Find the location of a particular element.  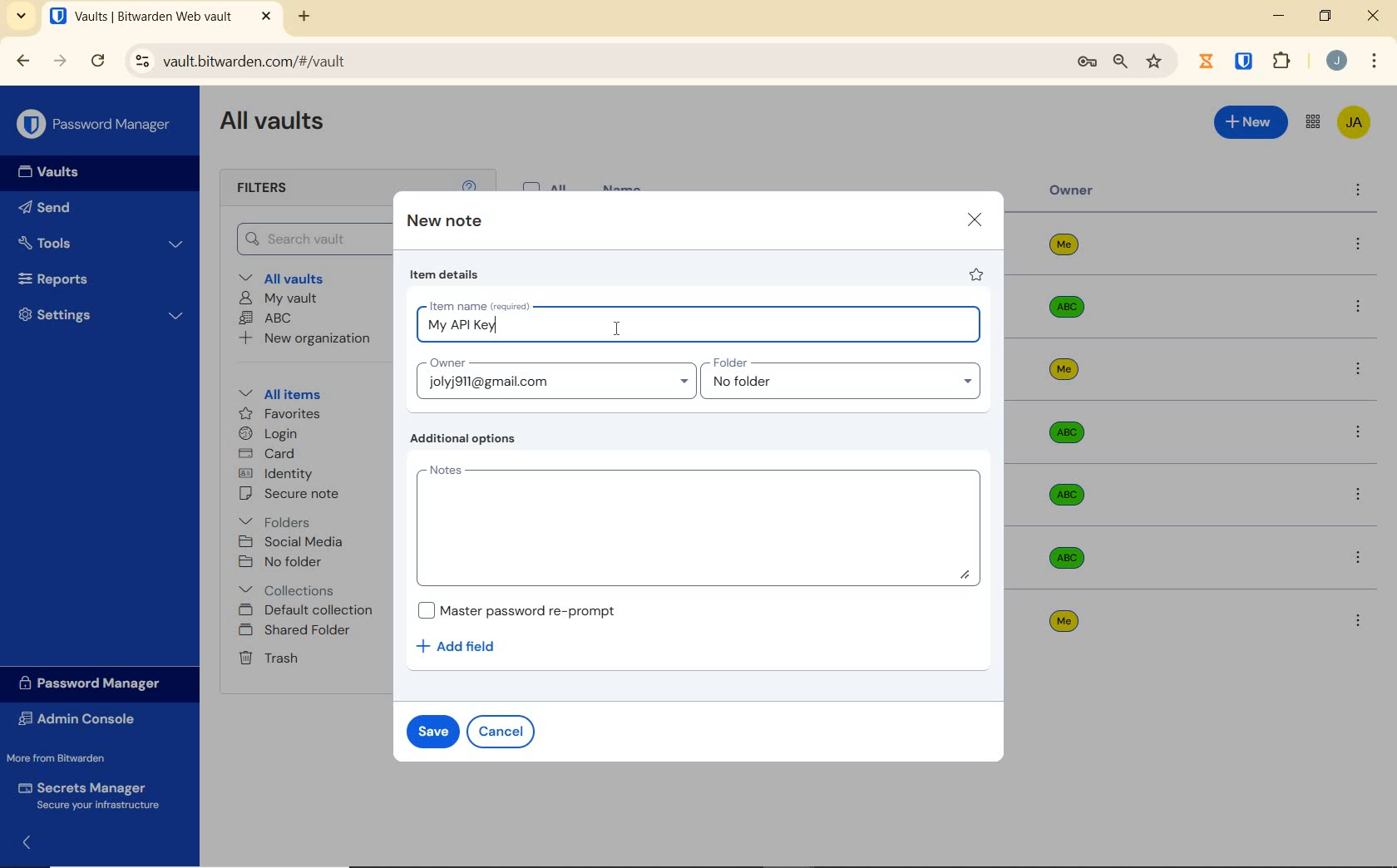

manage passwords is located at coordinates (1087, 63).